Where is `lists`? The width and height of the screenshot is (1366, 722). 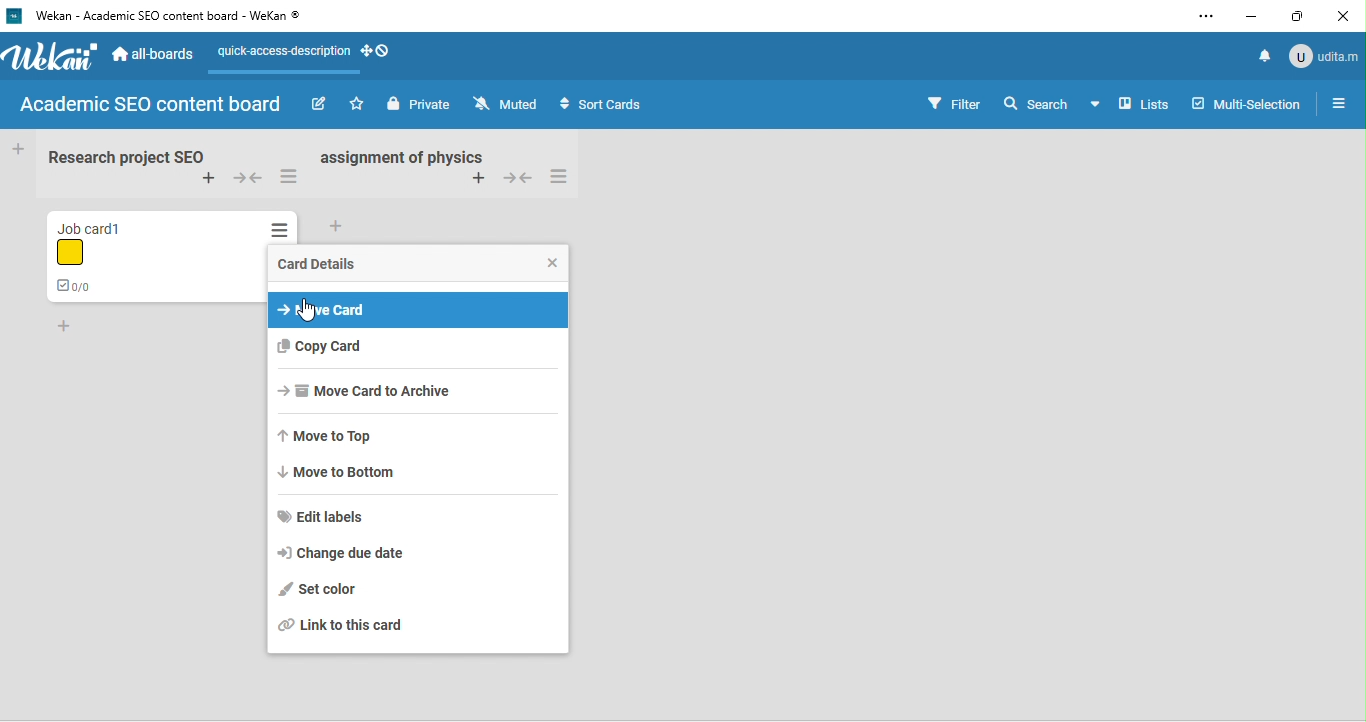 lists is located at coordinates (1130, 107).